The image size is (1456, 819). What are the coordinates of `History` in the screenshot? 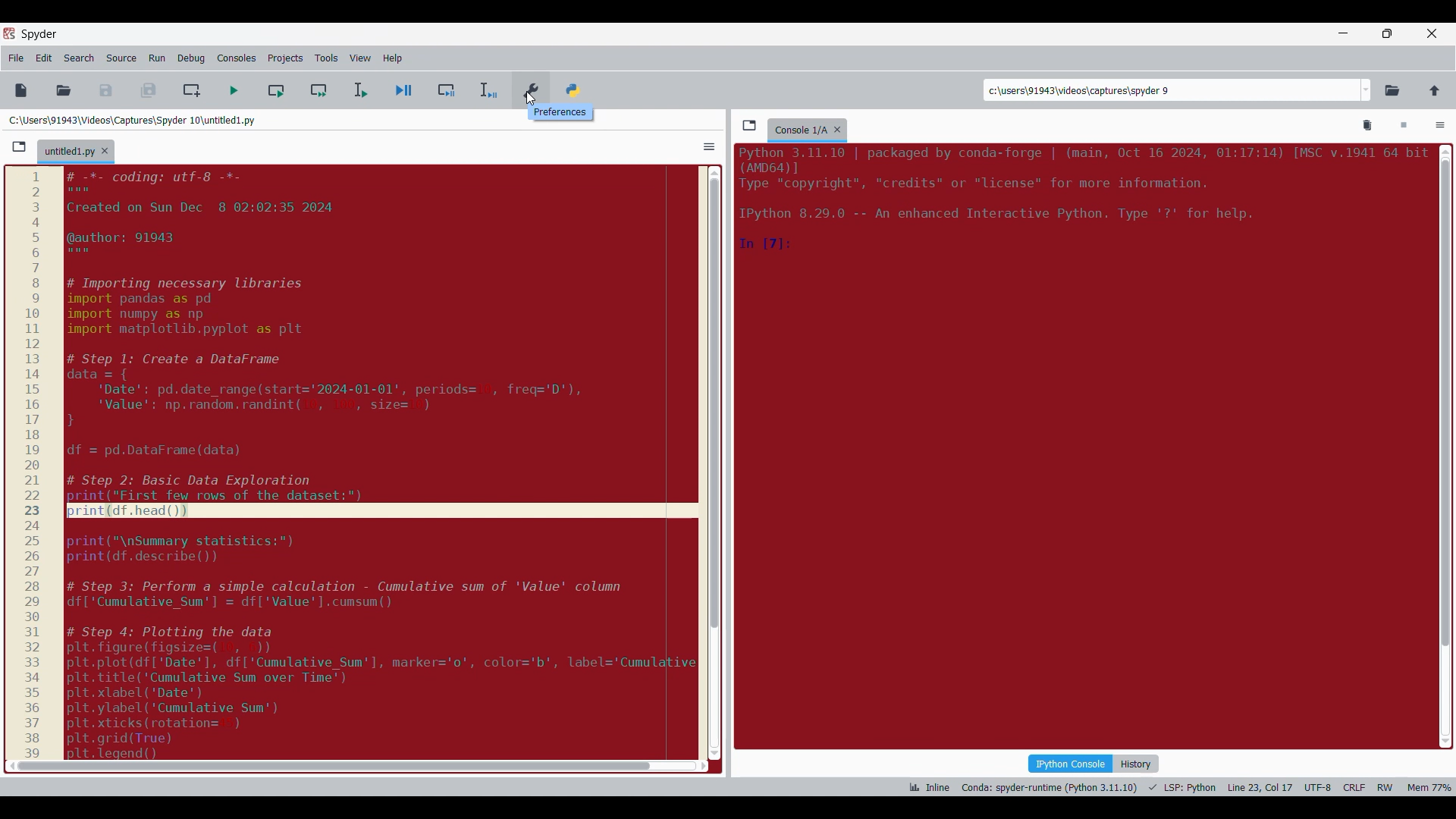 It's located at (1136, 764).